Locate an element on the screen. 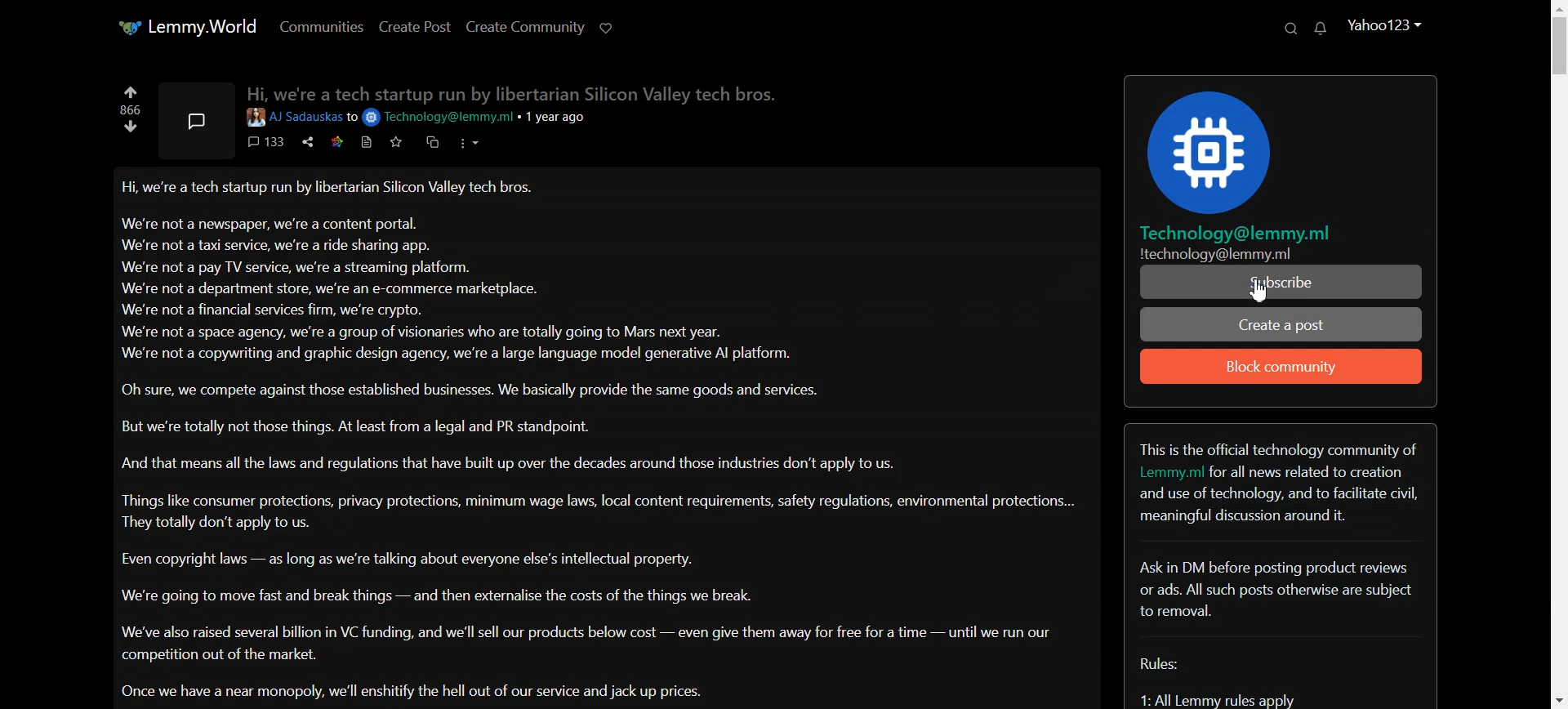 The image size is (1568, 709). Subscribe is located at coordinates (1278, 282).